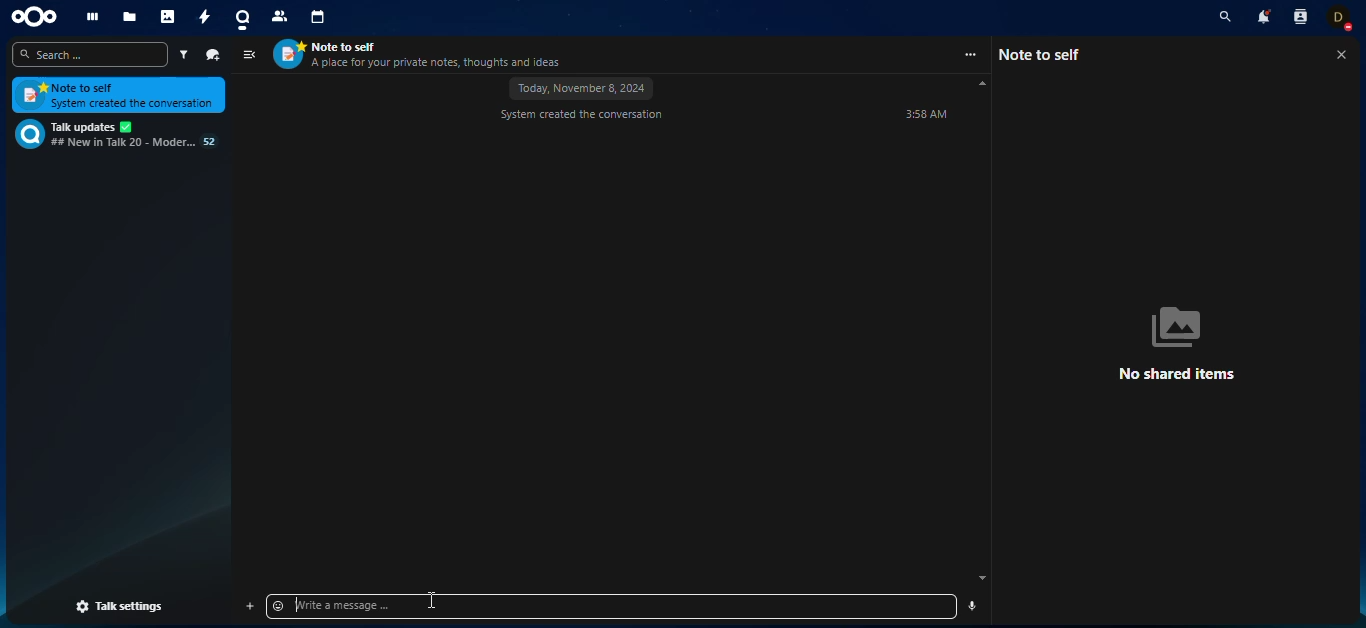 The height and width of the screenshot is (628, 1366). Describe the element at coordinates (582, 116) in the screenshot. I see `system created conversation` at that location.